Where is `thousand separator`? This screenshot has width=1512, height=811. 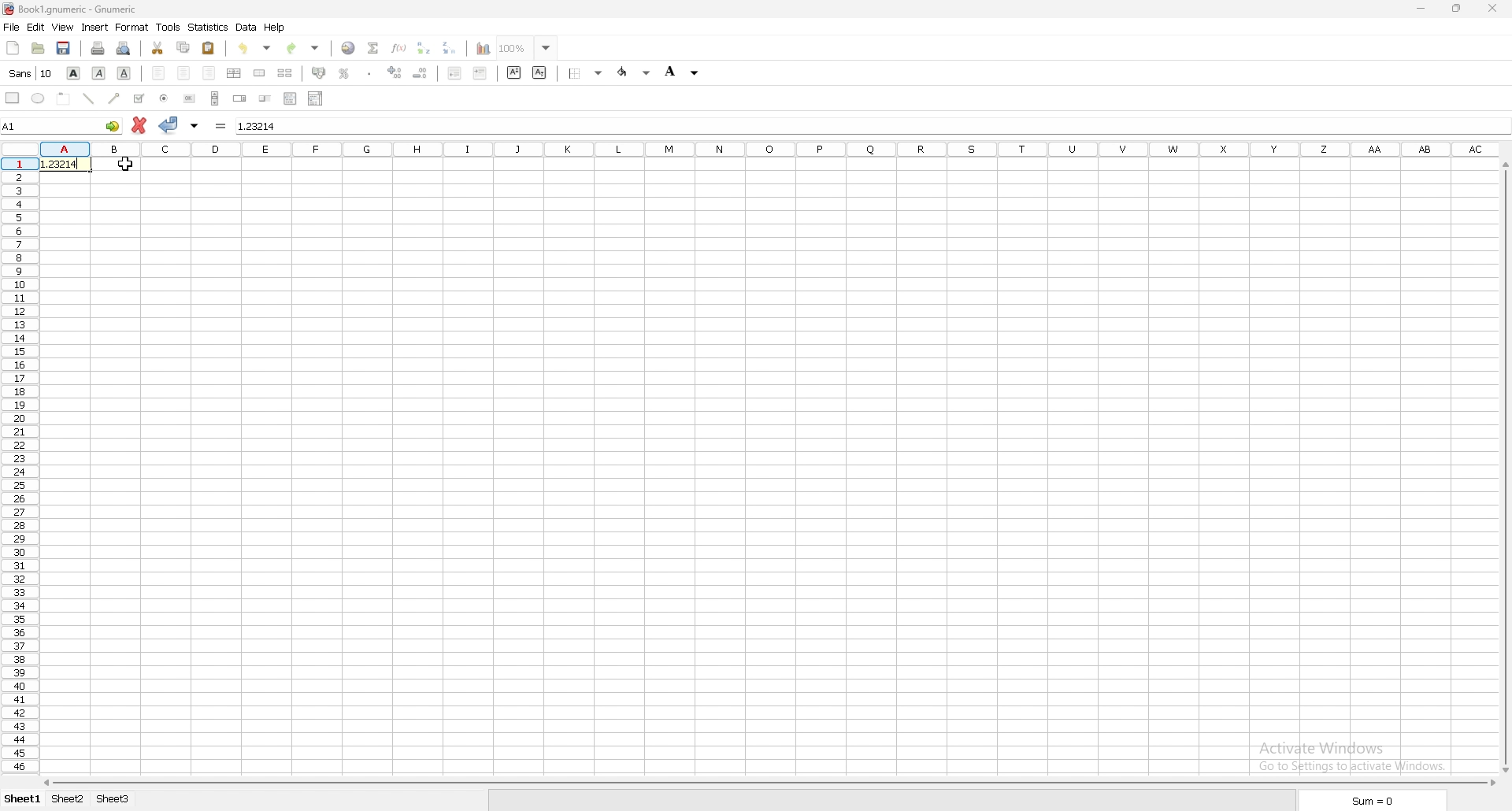
thousand separator is located at coordinates (370, 72).